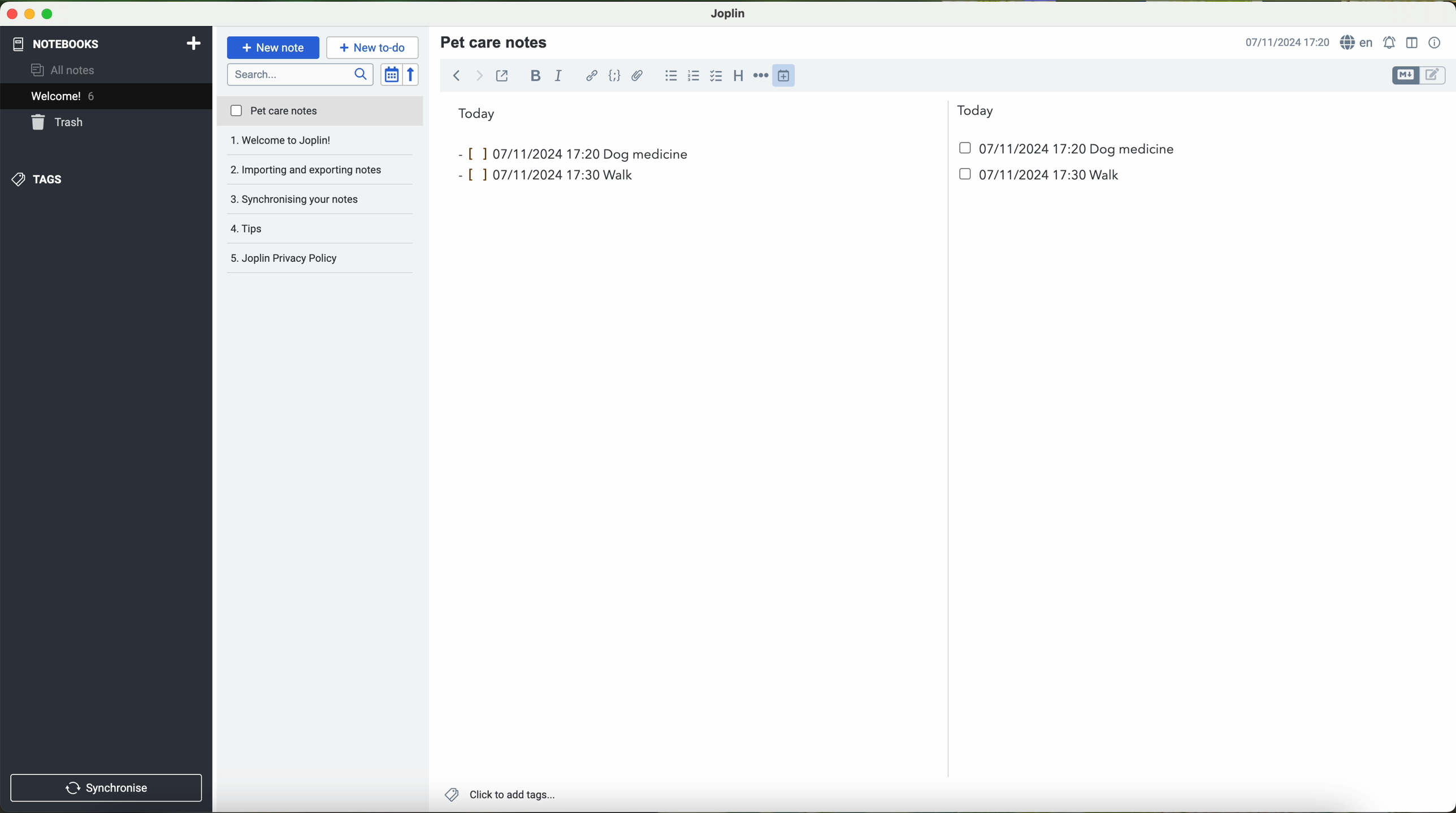 The height and width of the screenshot is (813, 1456). Describe the element at coordinates (321, 171) in the screenshot. I see `synchronising your notes` at that location.